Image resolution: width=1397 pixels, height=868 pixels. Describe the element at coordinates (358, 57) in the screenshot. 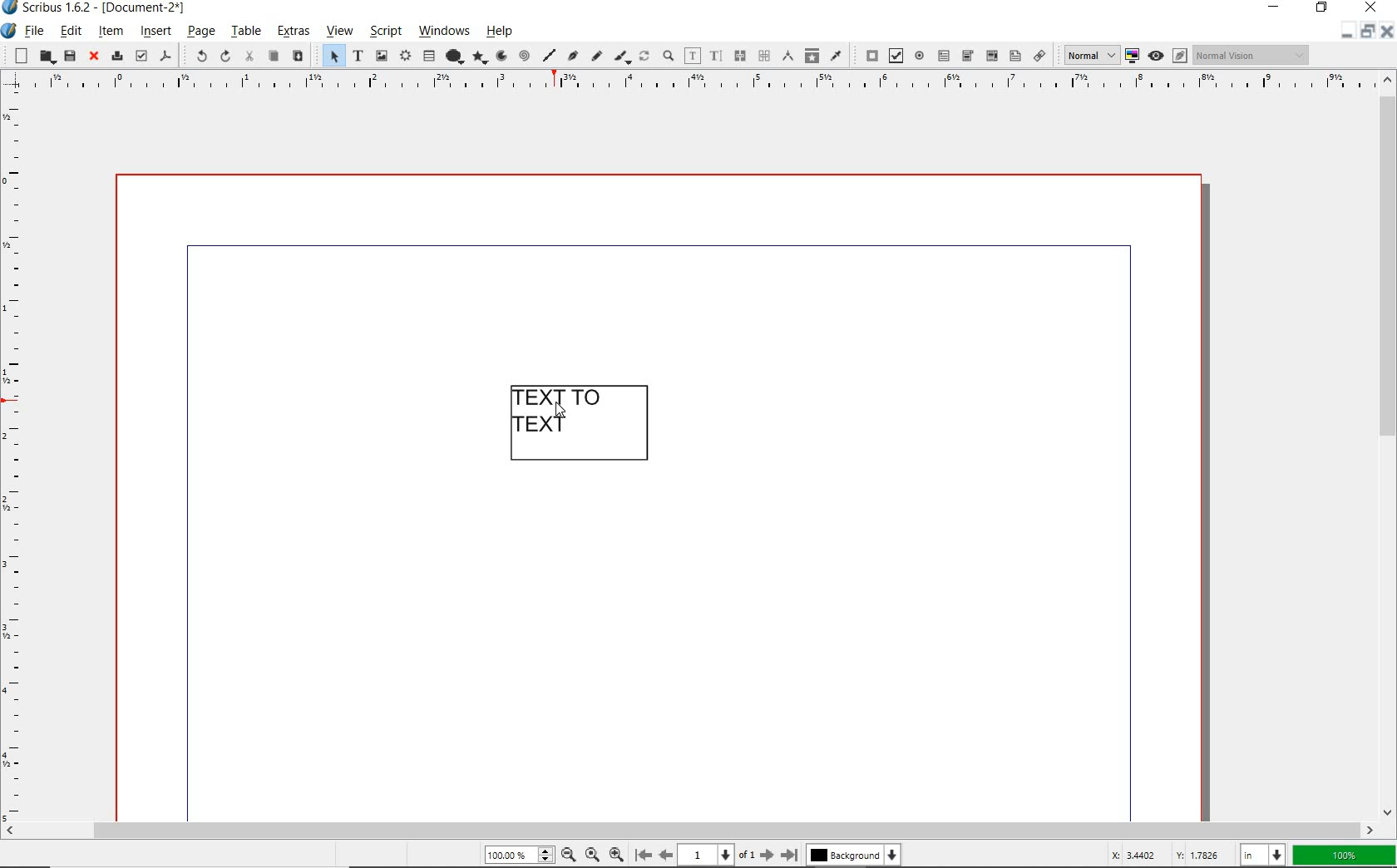

I see `text frame` at that location.